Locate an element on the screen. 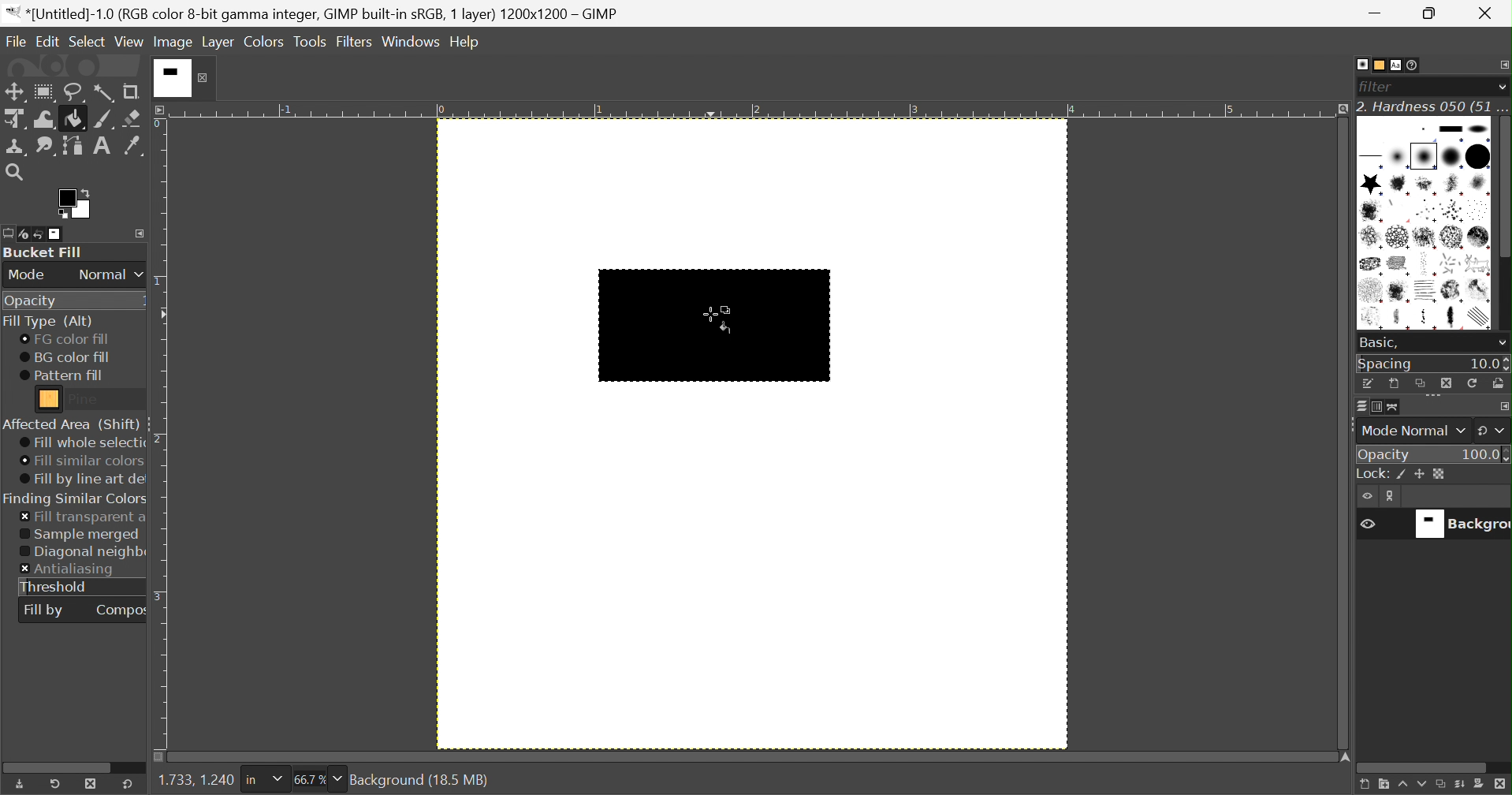 The width and height of the screenshot is (1512, 795). 100.0 is located at coordinates (1485, 453).